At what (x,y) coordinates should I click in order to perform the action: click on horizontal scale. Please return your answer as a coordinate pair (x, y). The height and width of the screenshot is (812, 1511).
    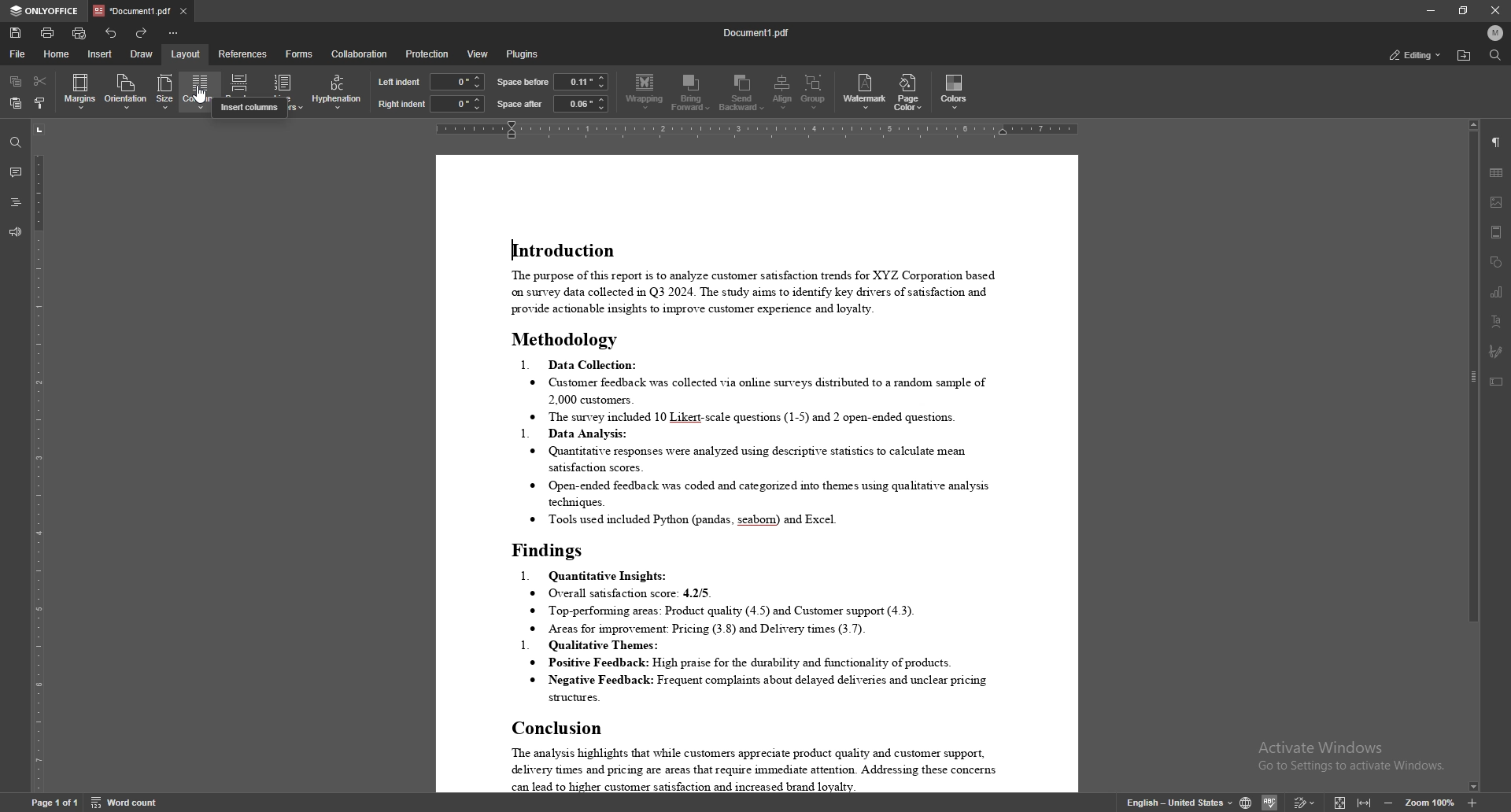
    Looking at the image, I should click on (762, 130).